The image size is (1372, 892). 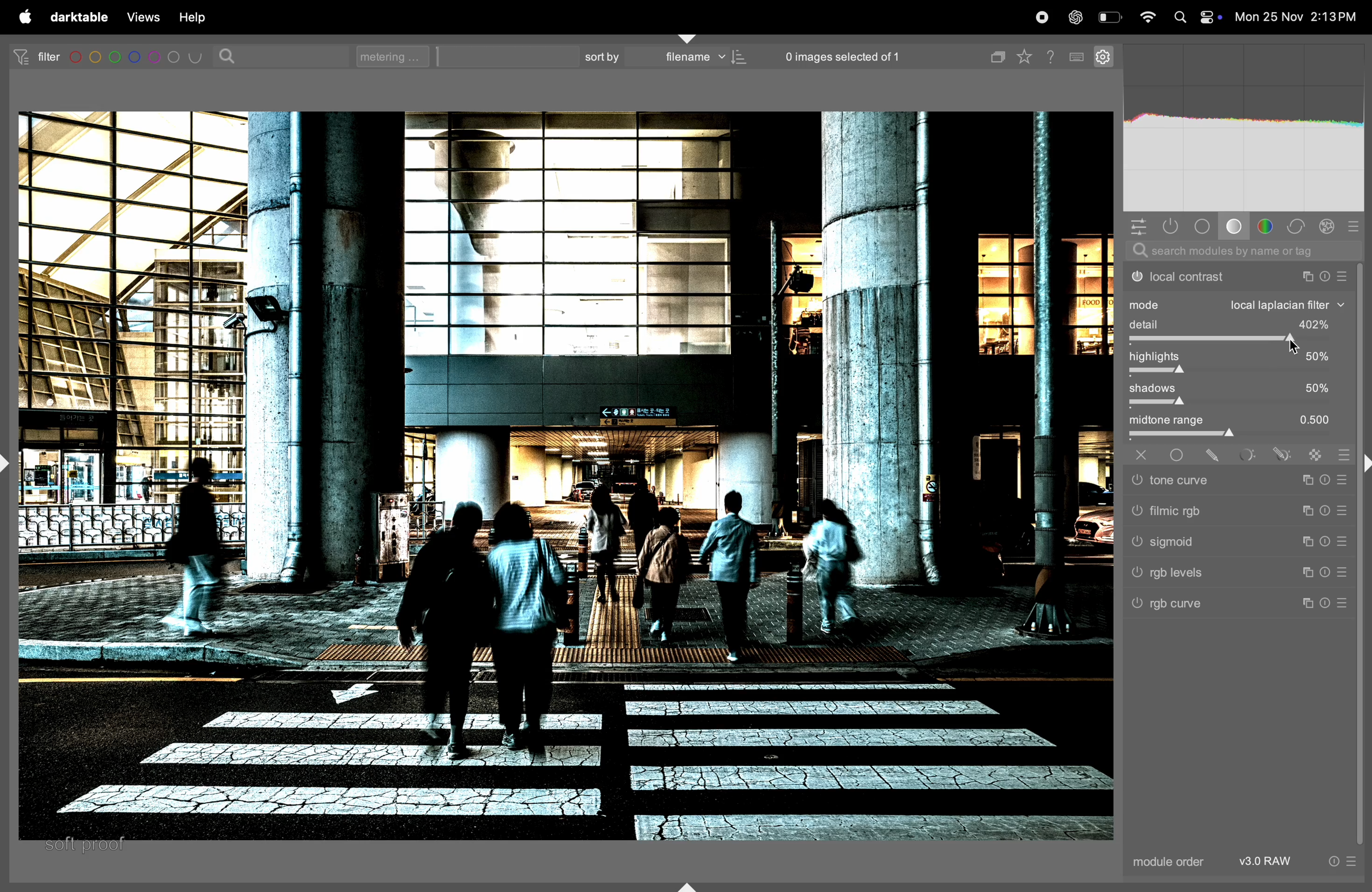 I want to click on preset, so click(x=1339, y=543).